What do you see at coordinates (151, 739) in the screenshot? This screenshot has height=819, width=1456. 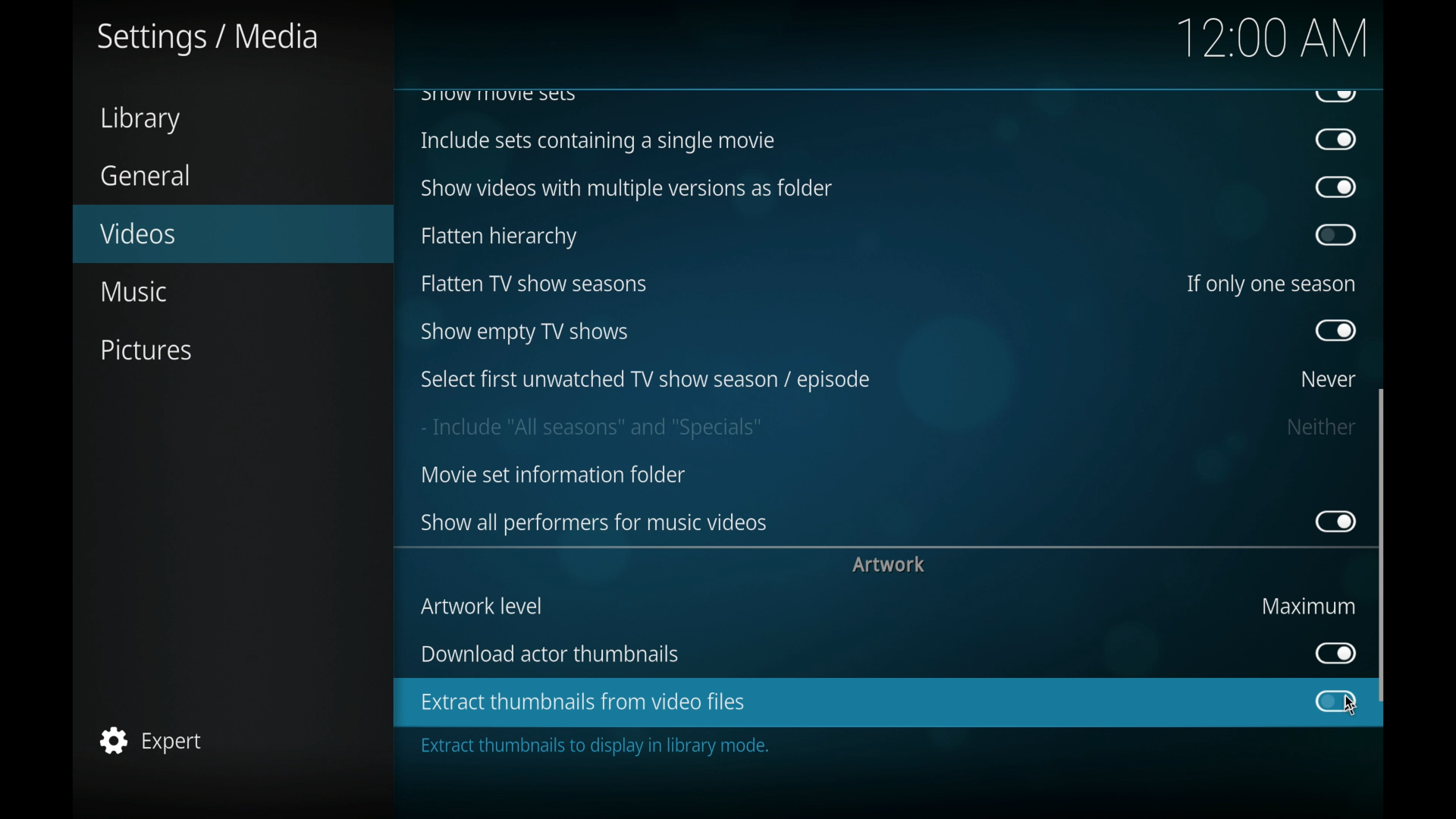 I see `expert` at bounding box center [151, 739].